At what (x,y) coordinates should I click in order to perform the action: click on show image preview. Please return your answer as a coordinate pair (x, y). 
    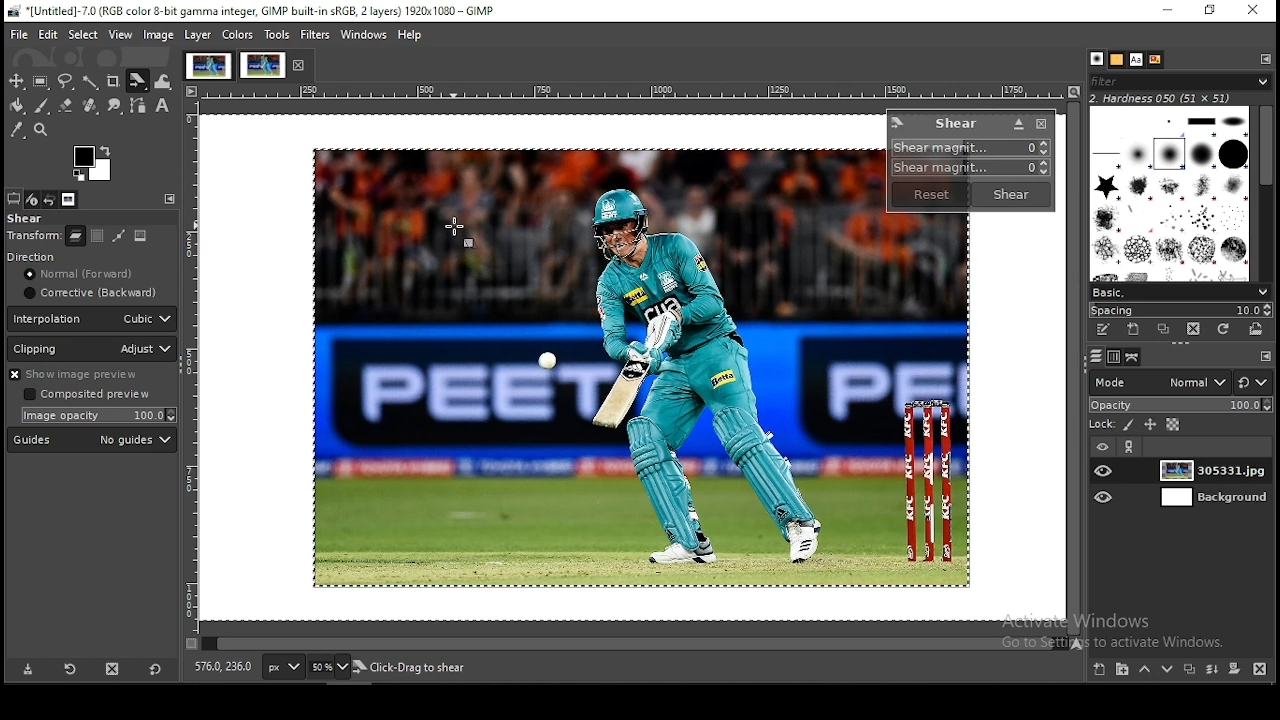
    Looking at the image, I should click on (88, 375).